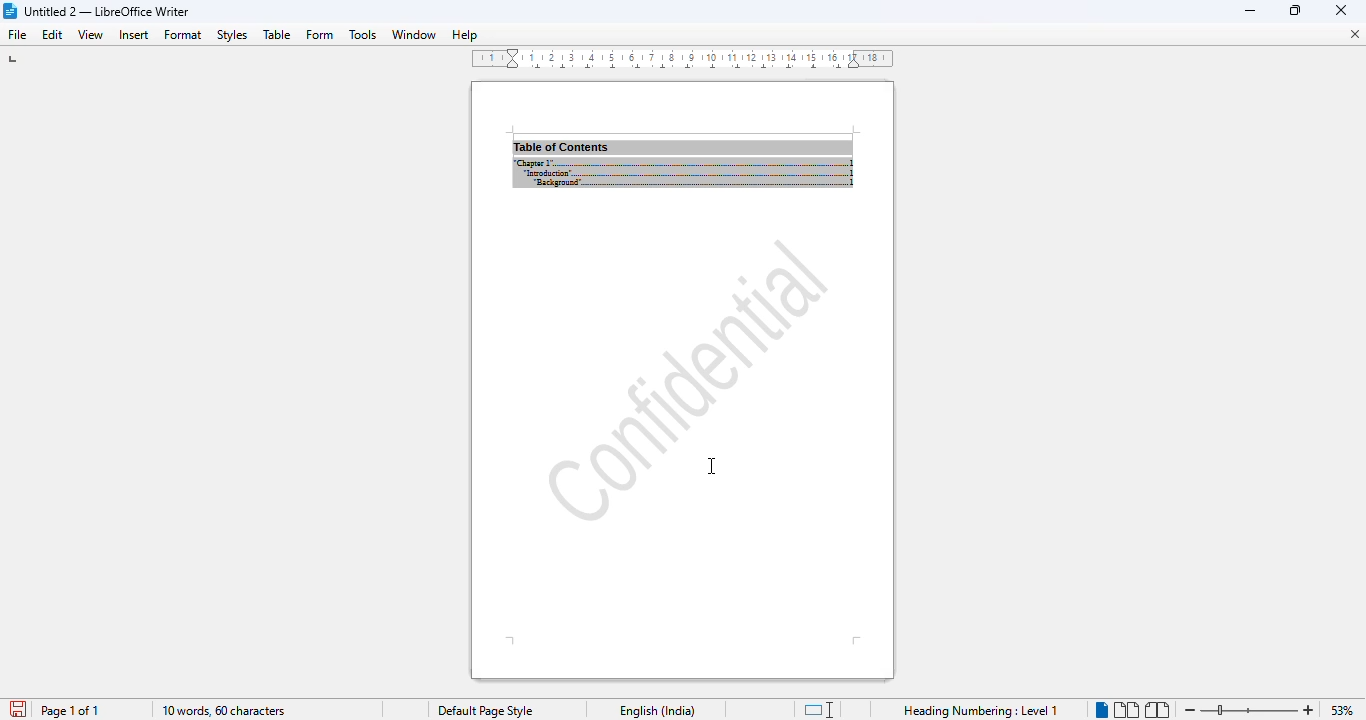 The image size is (1366, 720). I want to click on title, so click(107, 11).